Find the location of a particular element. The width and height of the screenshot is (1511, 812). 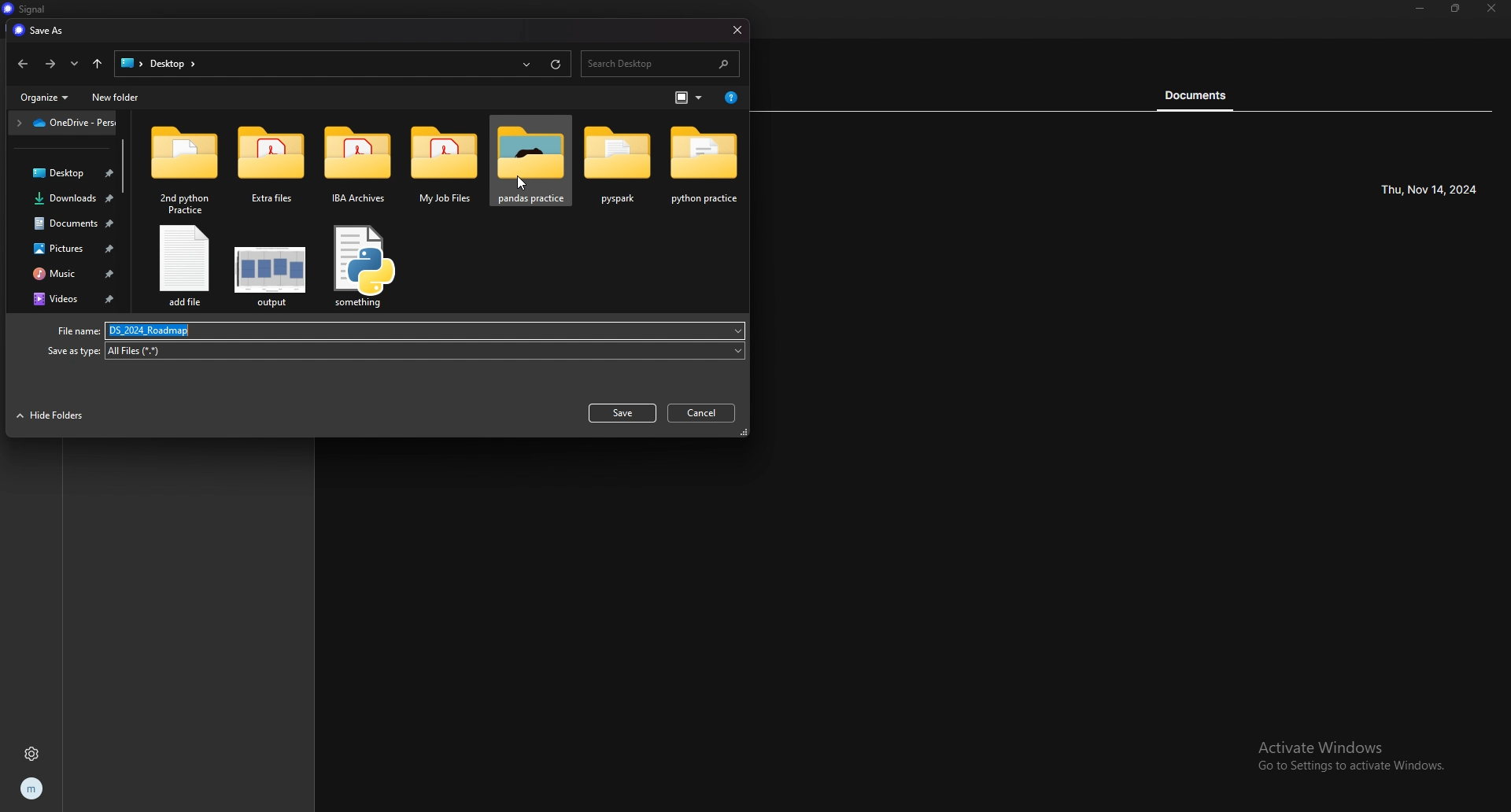

cursor is located at coordinates (519, 188).